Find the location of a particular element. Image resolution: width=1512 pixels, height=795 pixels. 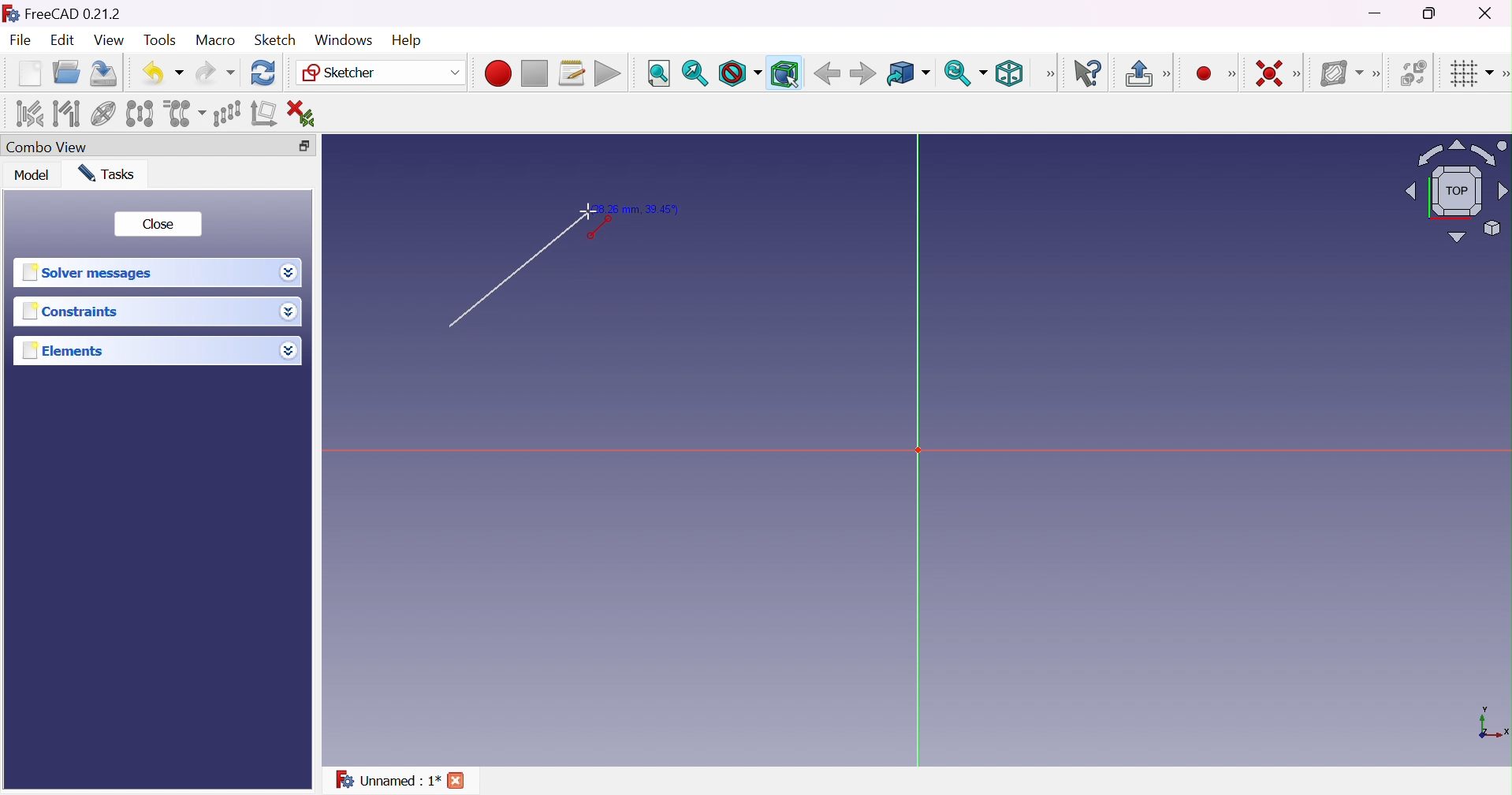

Minimize is located at coordinates (1376, 15).